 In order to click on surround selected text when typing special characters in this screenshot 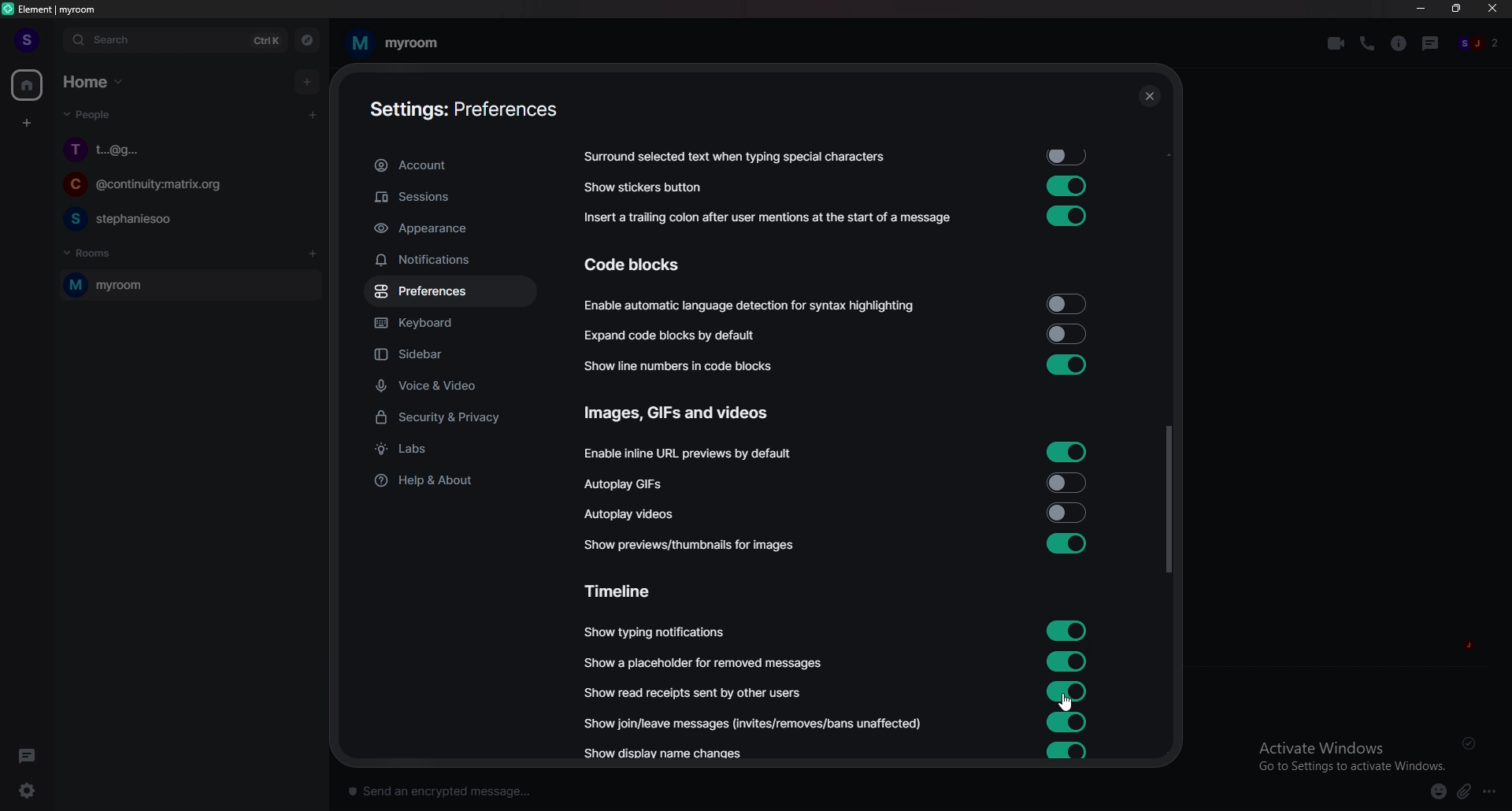, I will do `click(732, 157)`.